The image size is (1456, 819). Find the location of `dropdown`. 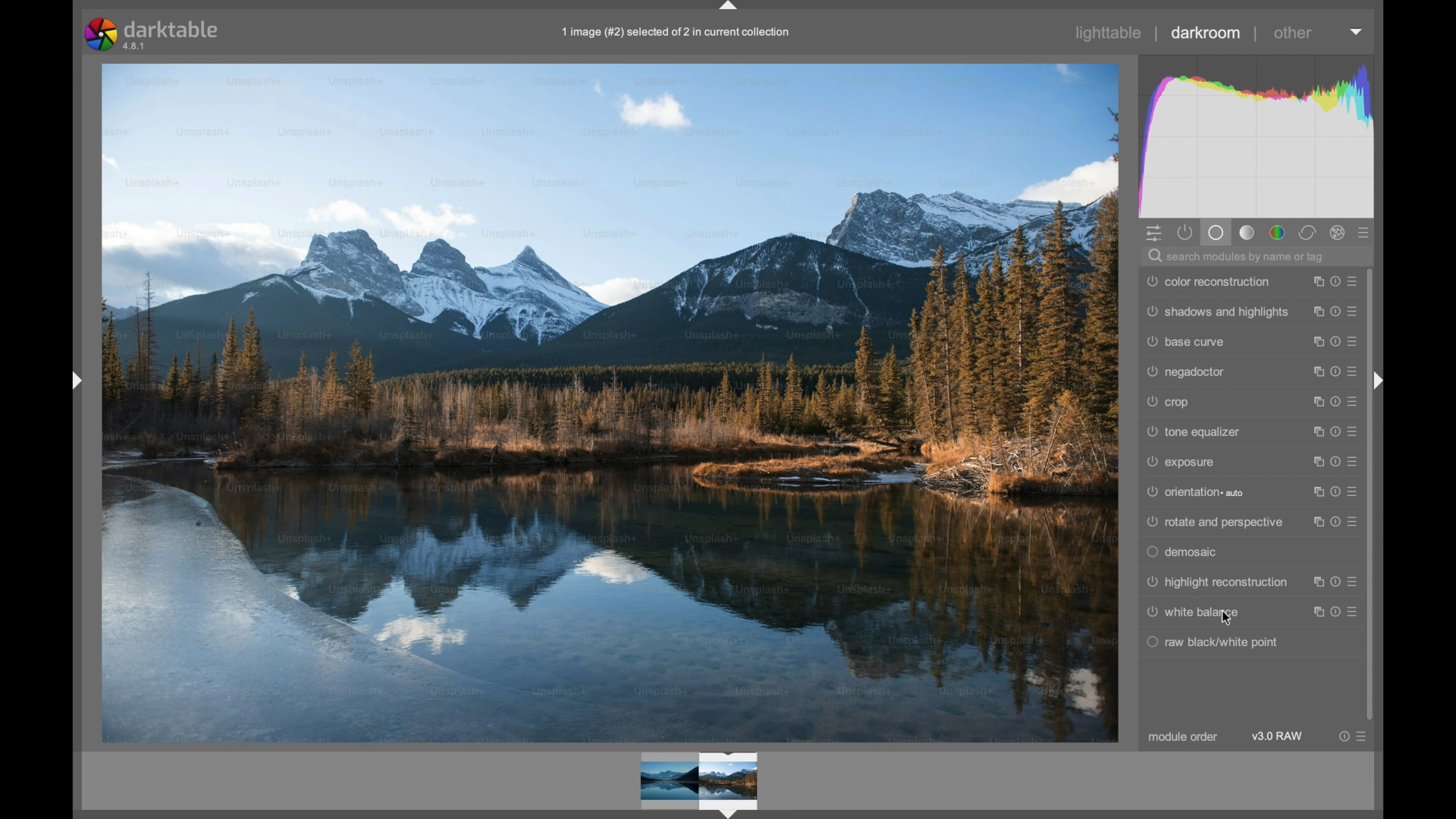

dropdown is located at coordinates (1356, 32).